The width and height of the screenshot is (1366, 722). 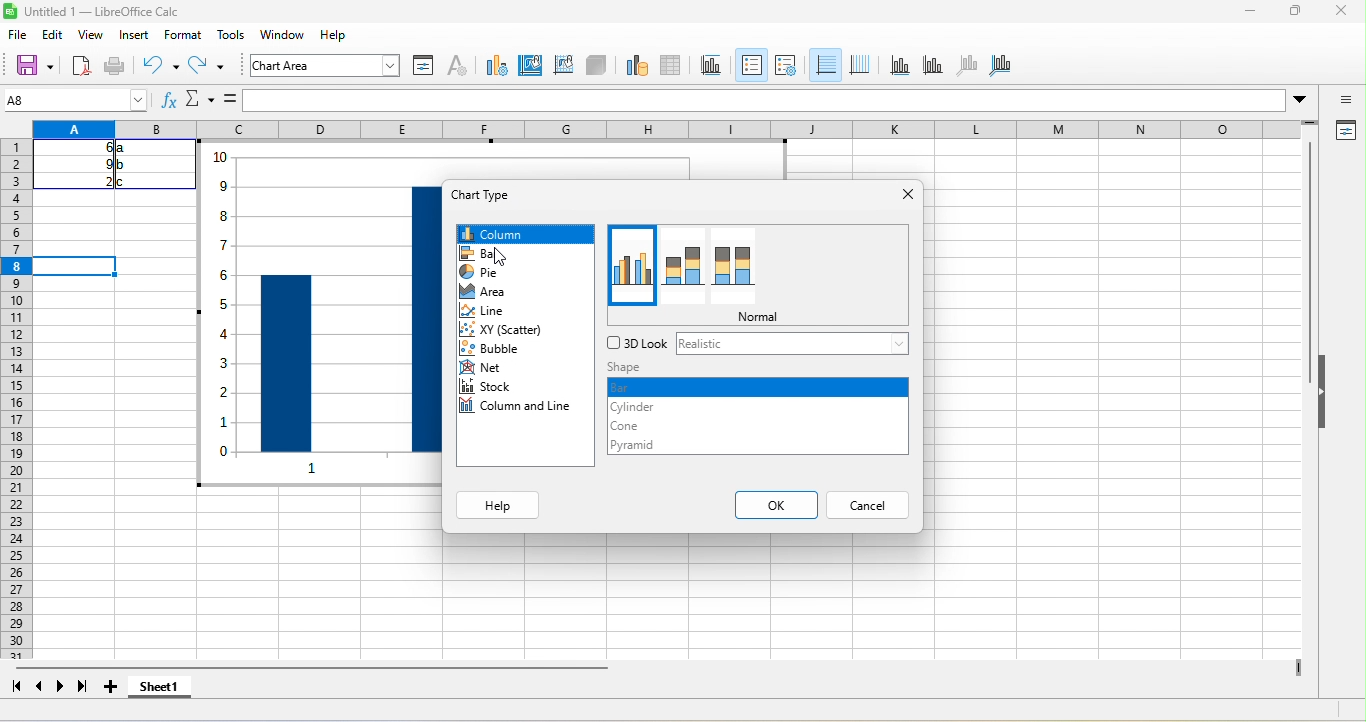 I want to click on cursor, so click(x=507, y=257).